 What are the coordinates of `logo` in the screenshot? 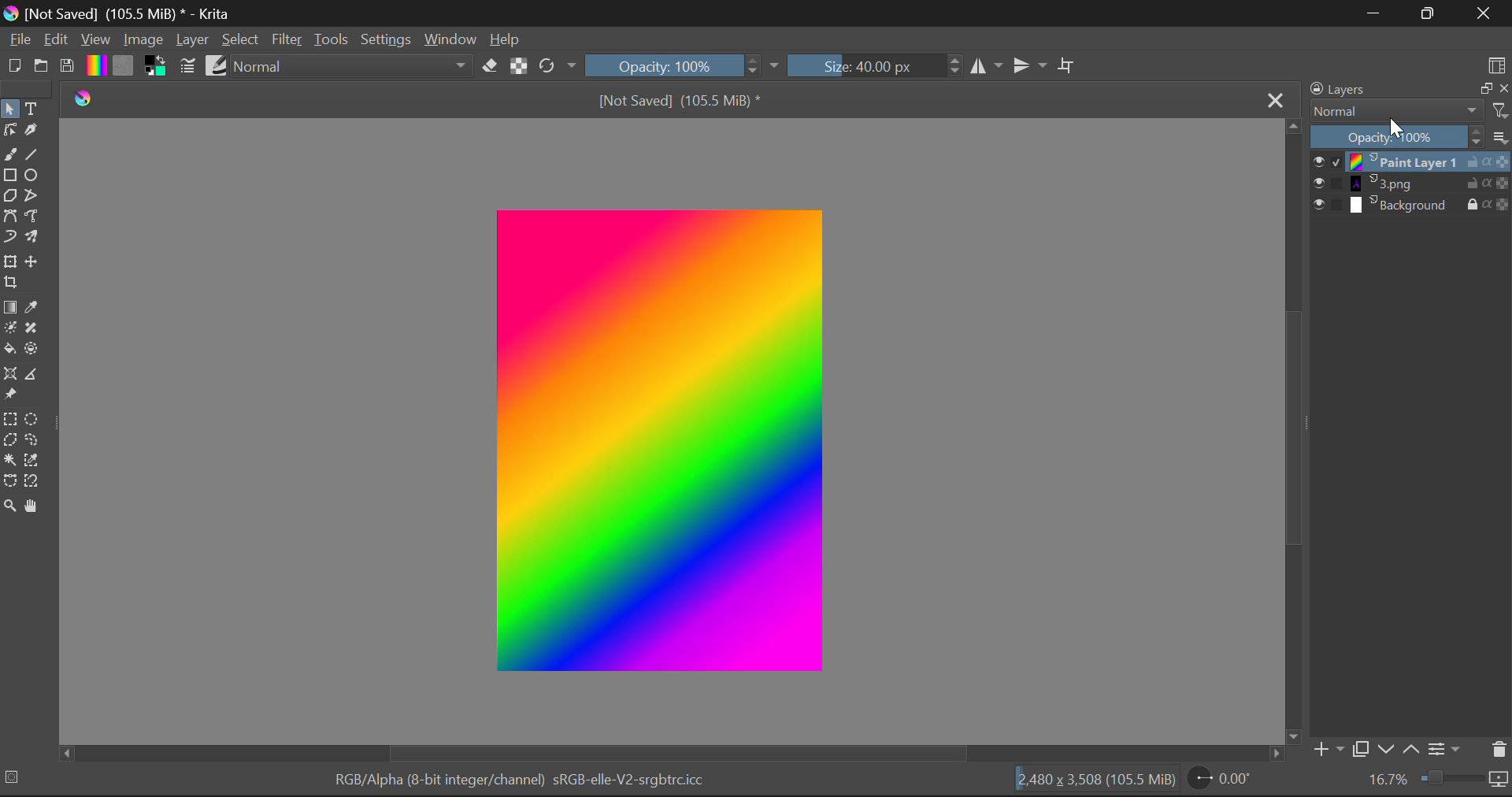 It's located at (87, 100).